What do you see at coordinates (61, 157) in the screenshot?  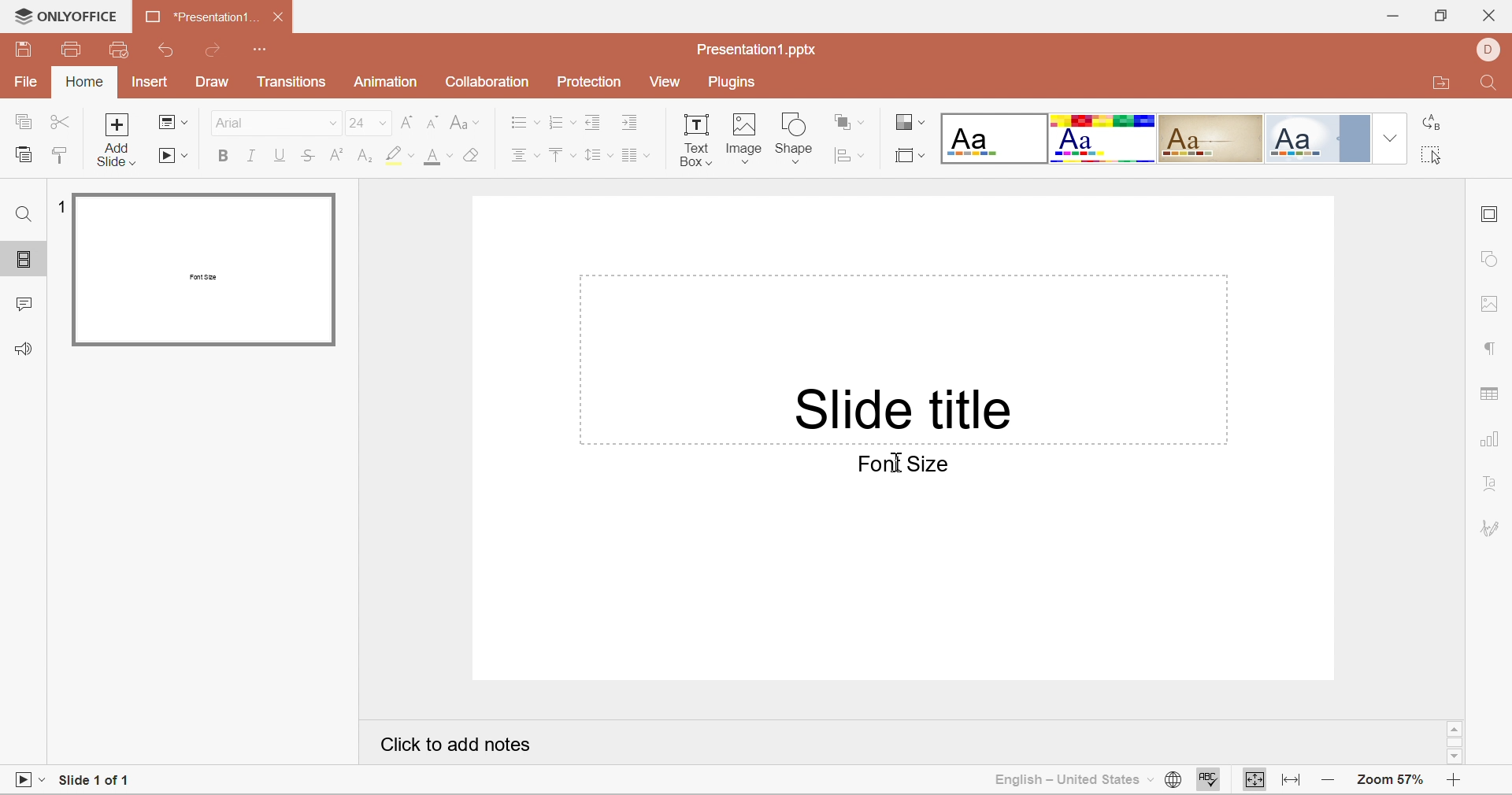 I see `Copy style` at bounding box center [61, 157].